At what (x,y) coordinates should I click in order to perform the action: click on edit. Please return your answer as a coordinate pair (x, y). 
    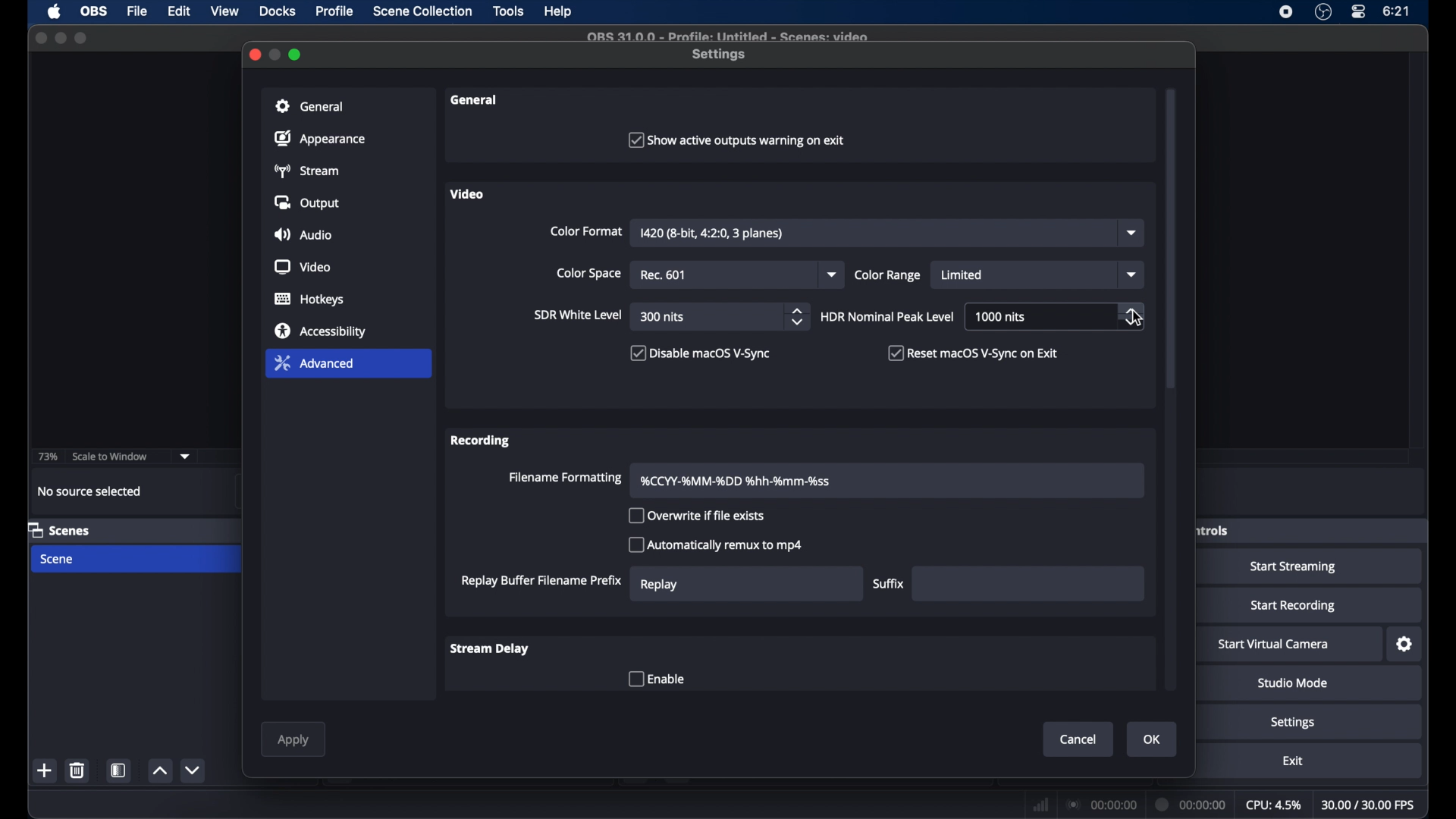
    Looking at the image, I should click on (180, 12).